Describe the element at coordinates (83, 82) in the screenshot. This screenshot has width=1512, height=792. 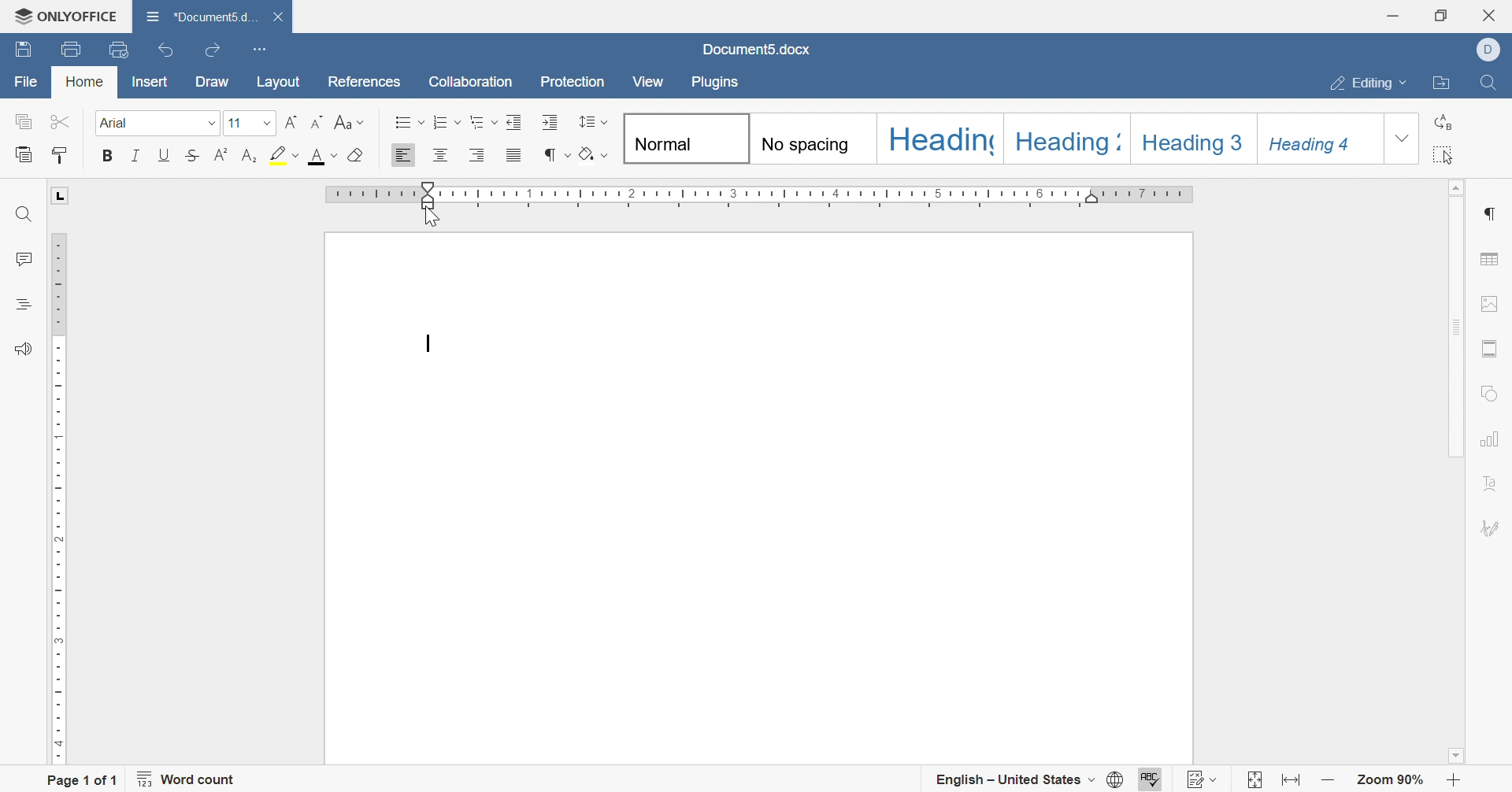
I see `home` at that location.